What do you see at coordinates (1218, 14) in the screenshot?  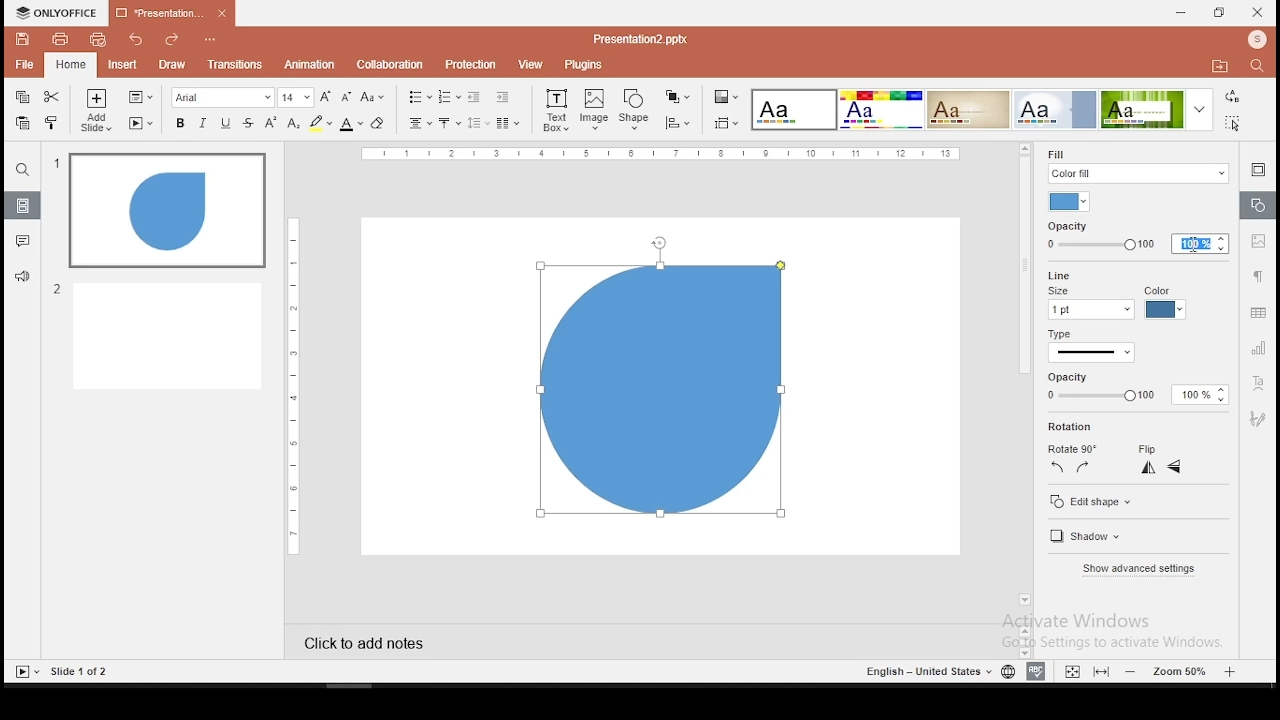 I see `restore` at bounding box center [1218, 14].